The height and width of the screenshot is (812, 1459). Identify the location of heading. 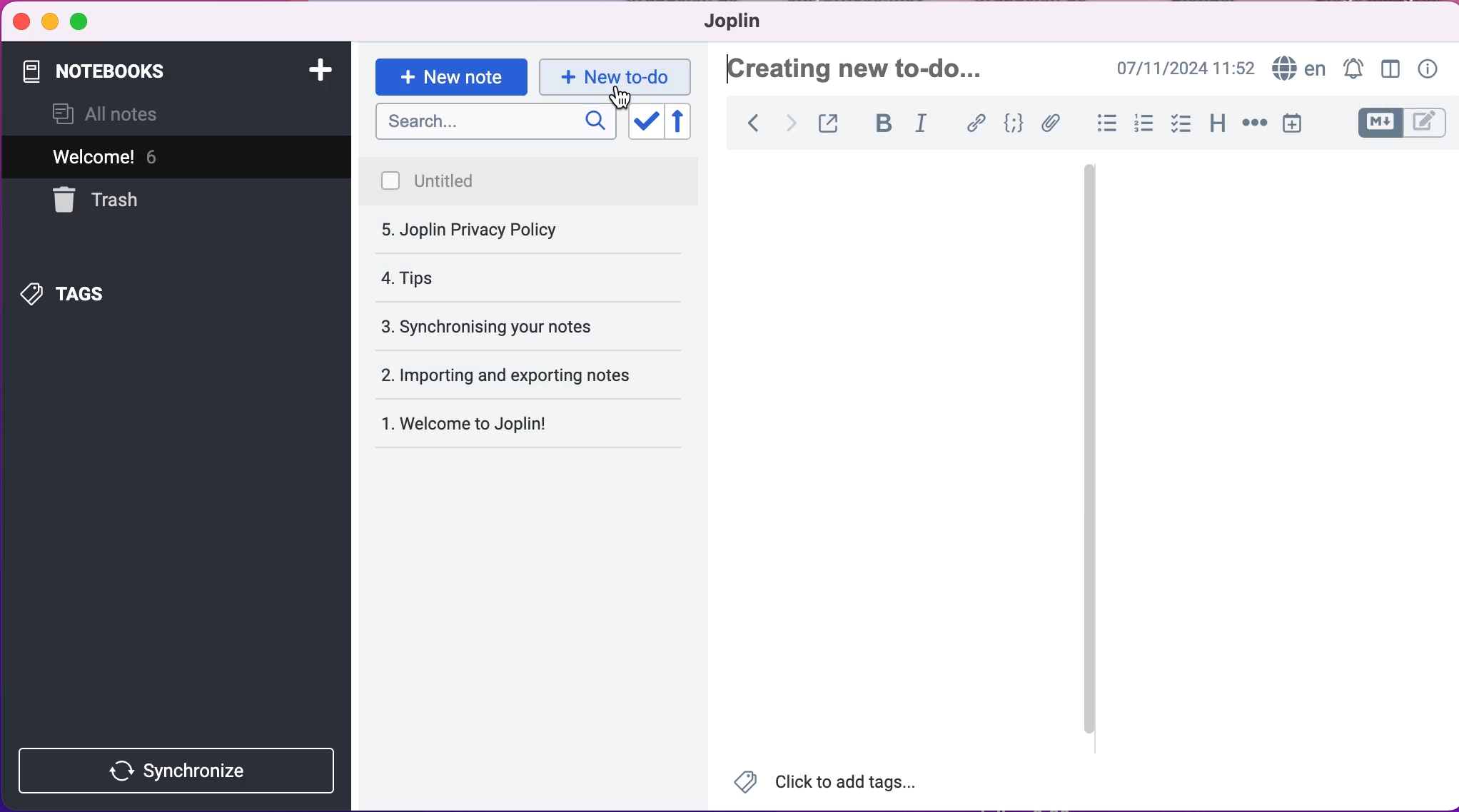
(1217, 127).